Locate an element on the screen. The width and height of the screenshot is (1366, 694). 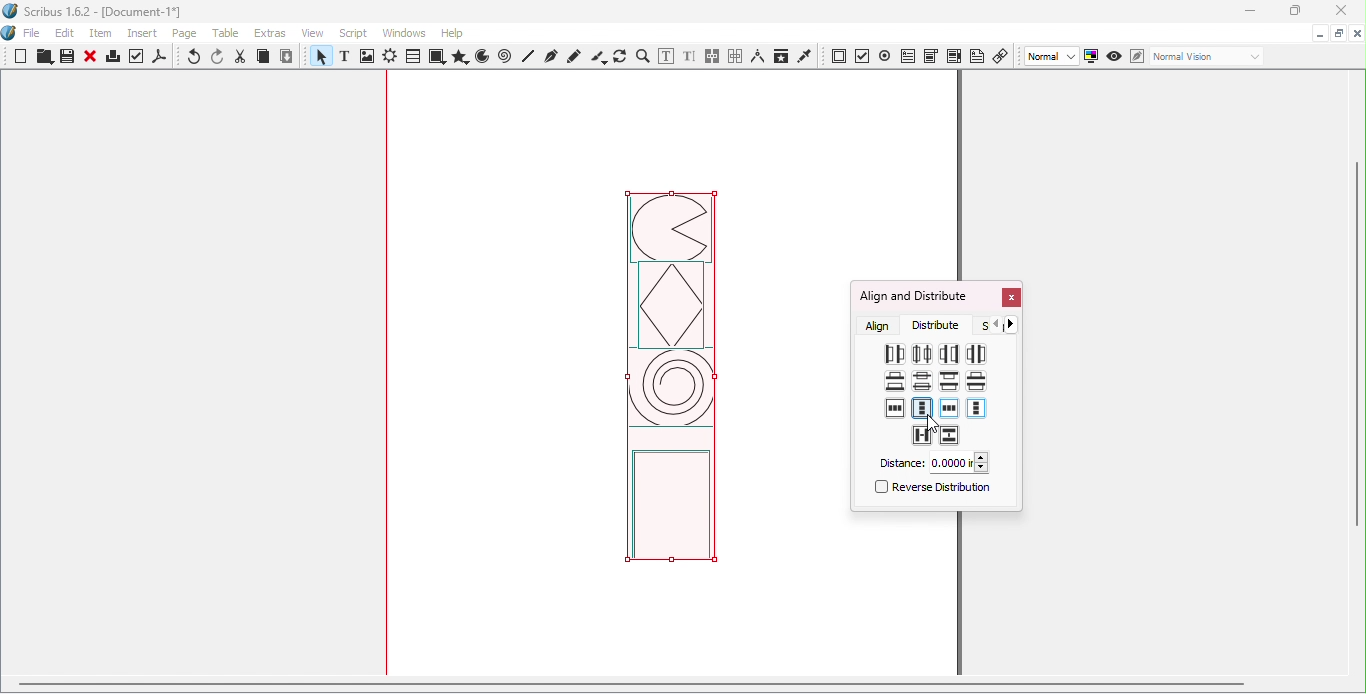
PDF radio button is located at coordinates (885, 55).